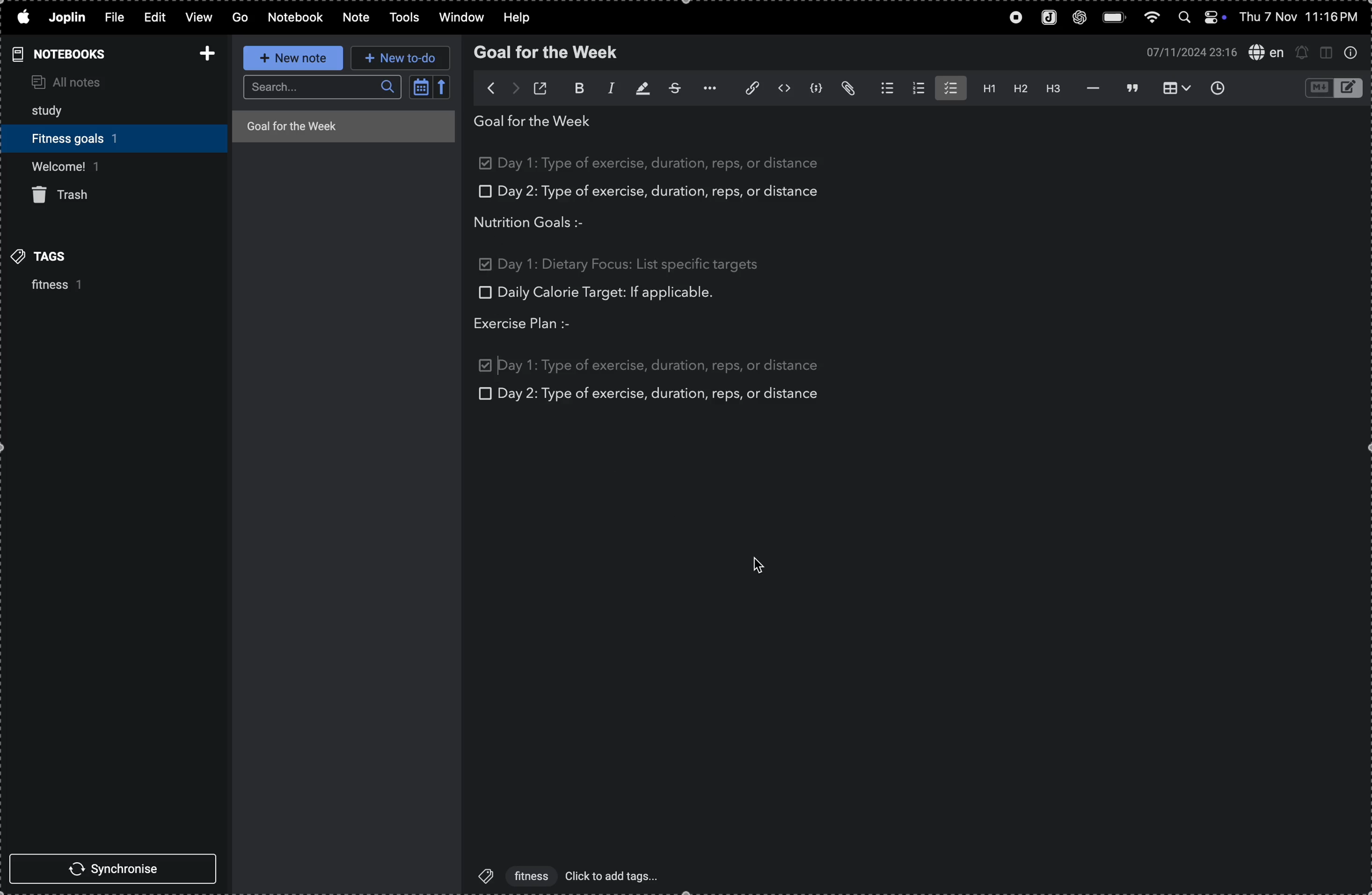 This screenshot has height=895, width=1372. Describe the element at coordinates (1051, 88) in the screenshot. I see `heading 3` at that location.